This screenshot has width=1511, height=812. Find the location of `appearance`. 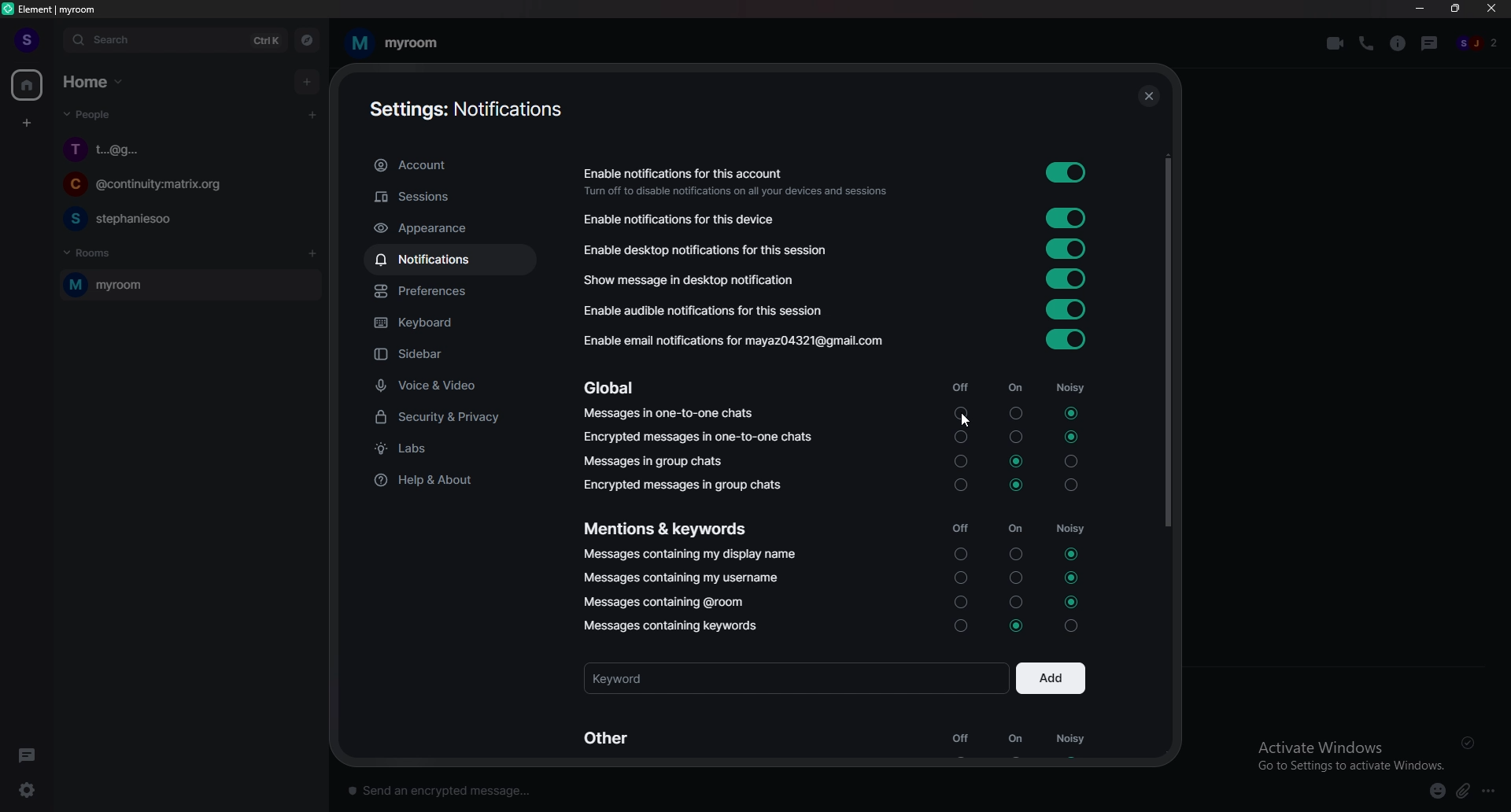

appearance is located at coordinates (456, 229).